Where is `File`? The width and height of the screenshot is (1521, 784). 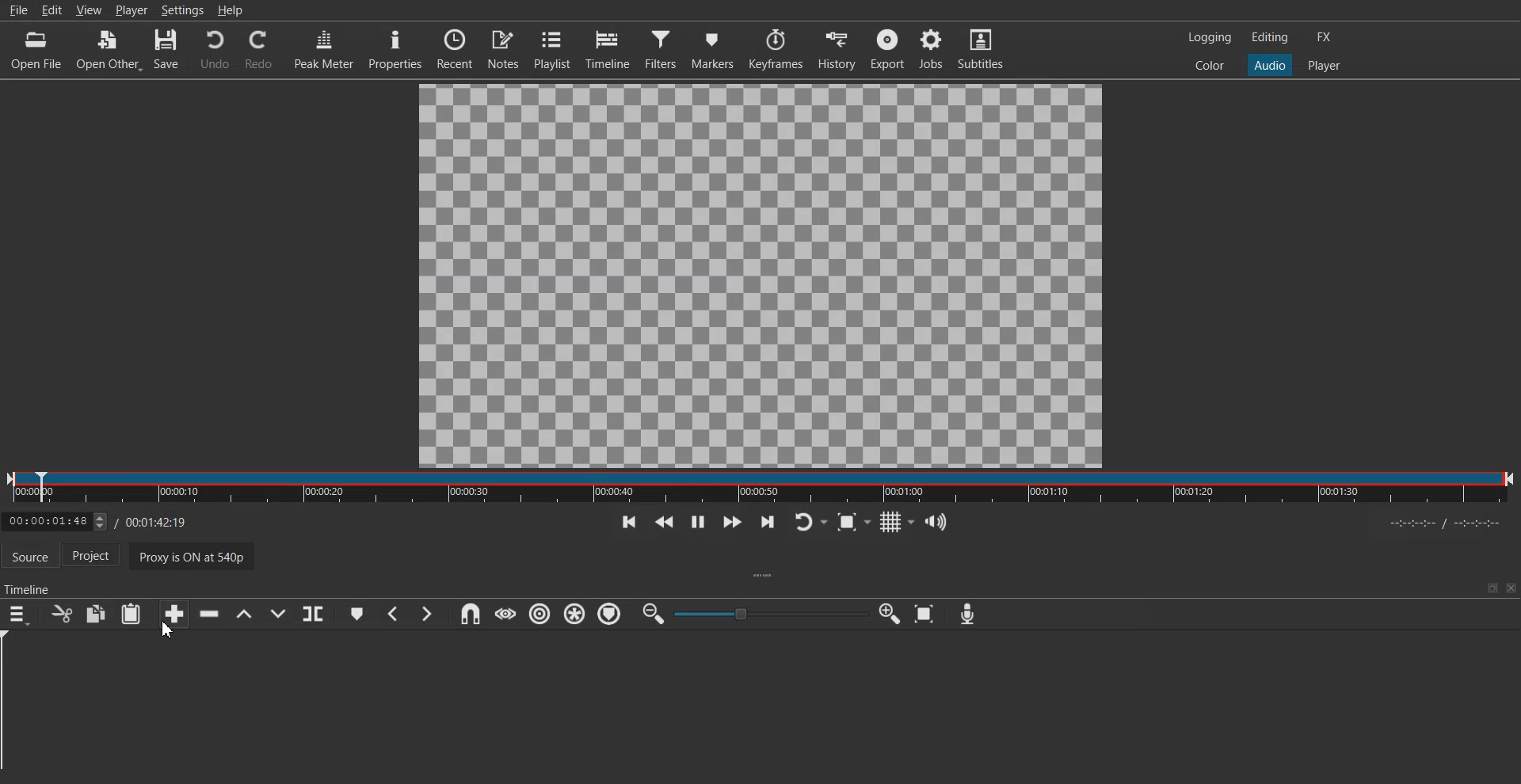 File is located at coordinates (17, 11).